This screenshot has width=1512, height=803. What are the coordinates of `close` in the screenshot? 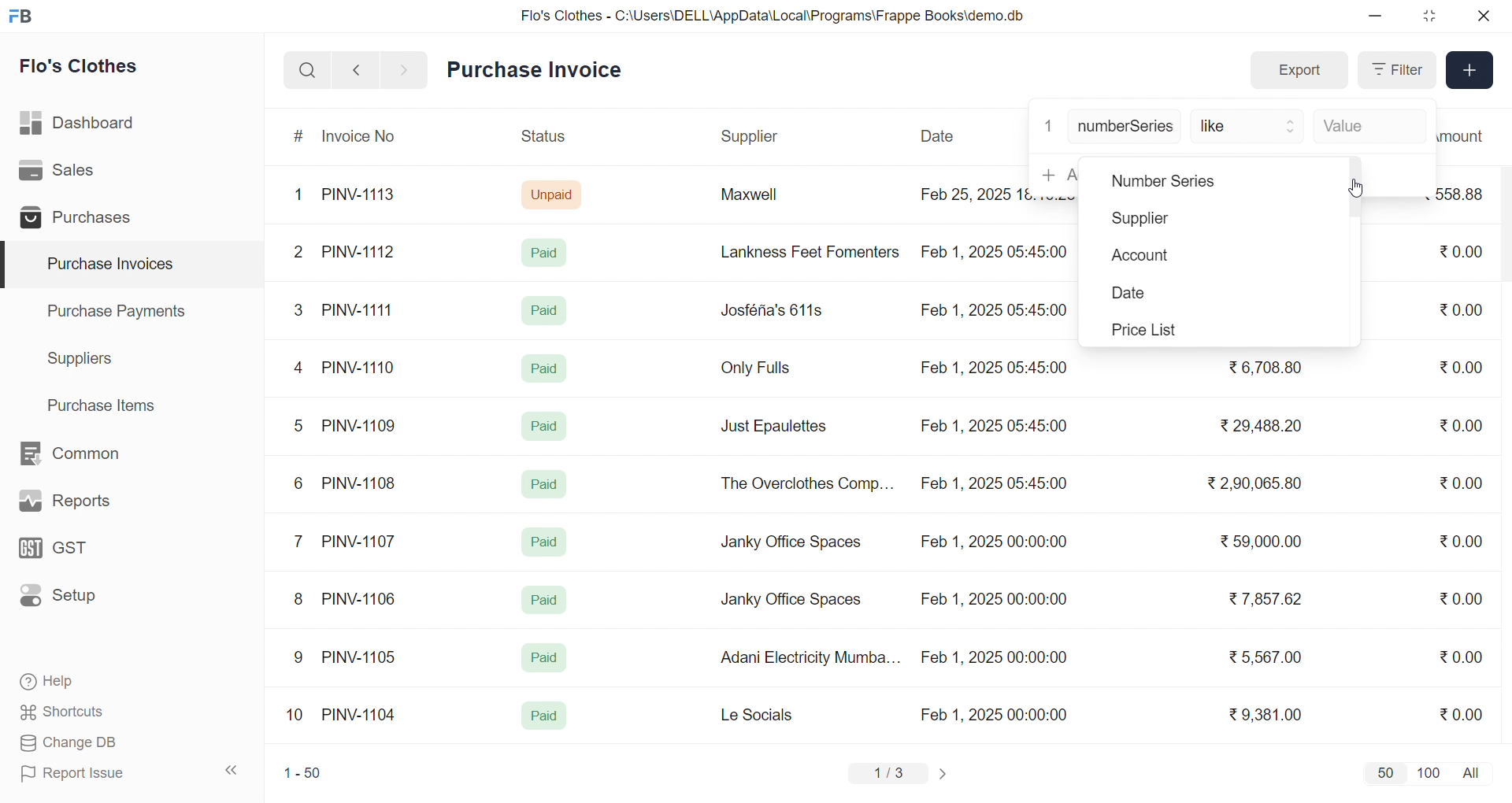 It's located at (1482, 16).